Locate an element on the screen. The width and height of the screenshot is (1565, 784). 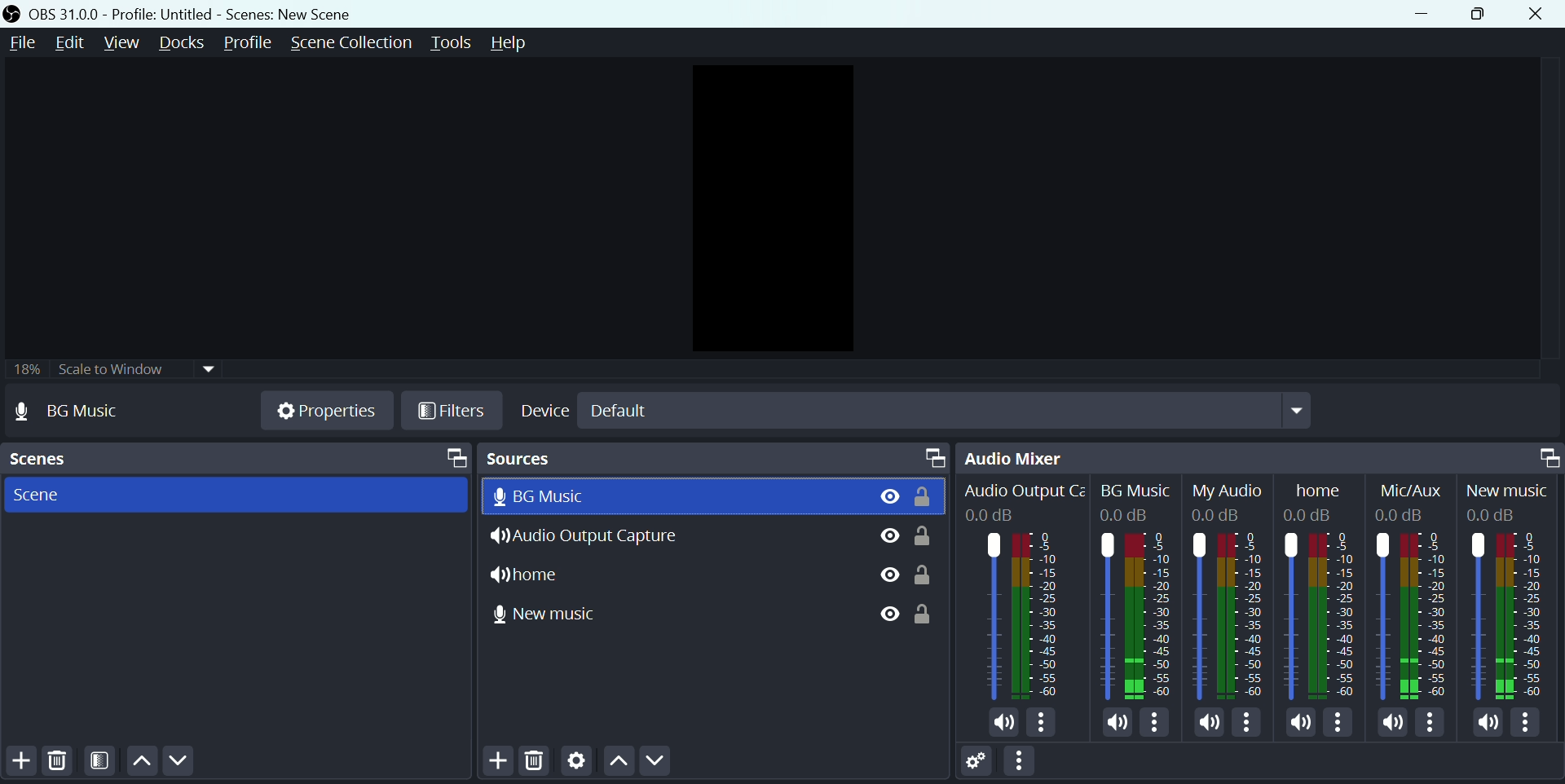
Help is located at coordinates (522, 42).